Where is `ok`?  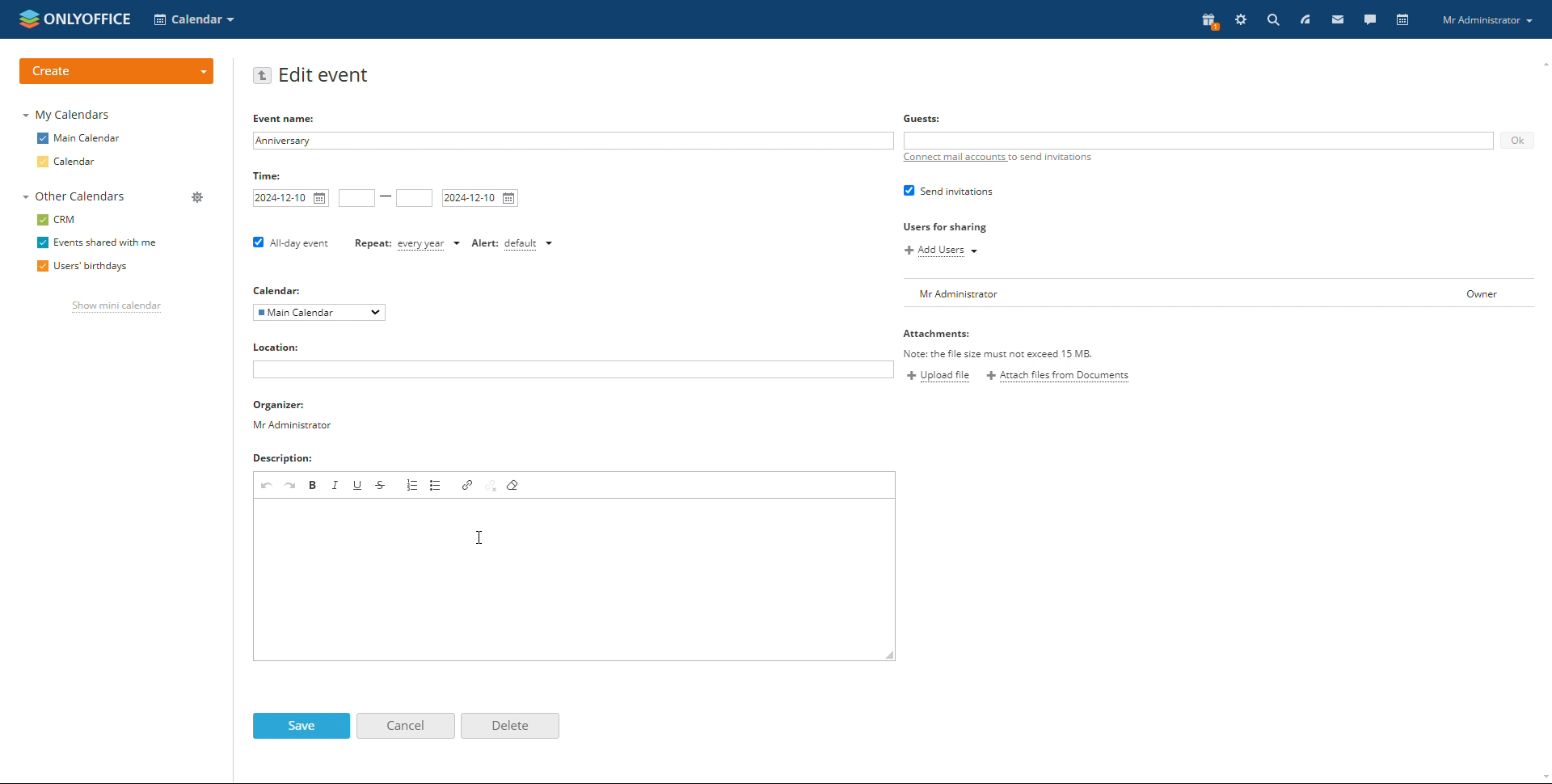 ok is located at coordinates (1517, 140).